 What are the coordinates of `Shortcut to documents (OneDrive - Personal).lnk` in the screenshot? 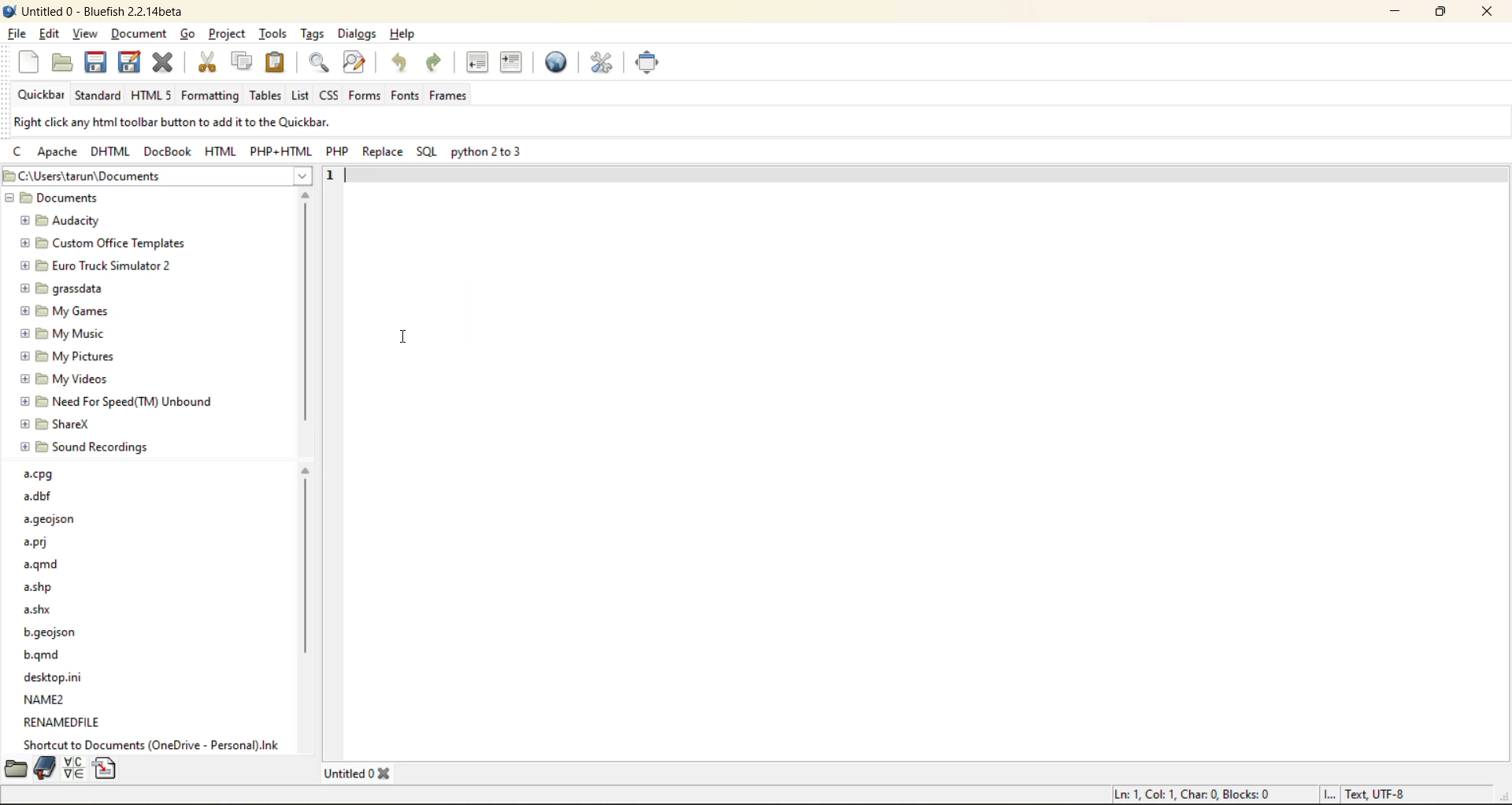 It's located at (154, 744).